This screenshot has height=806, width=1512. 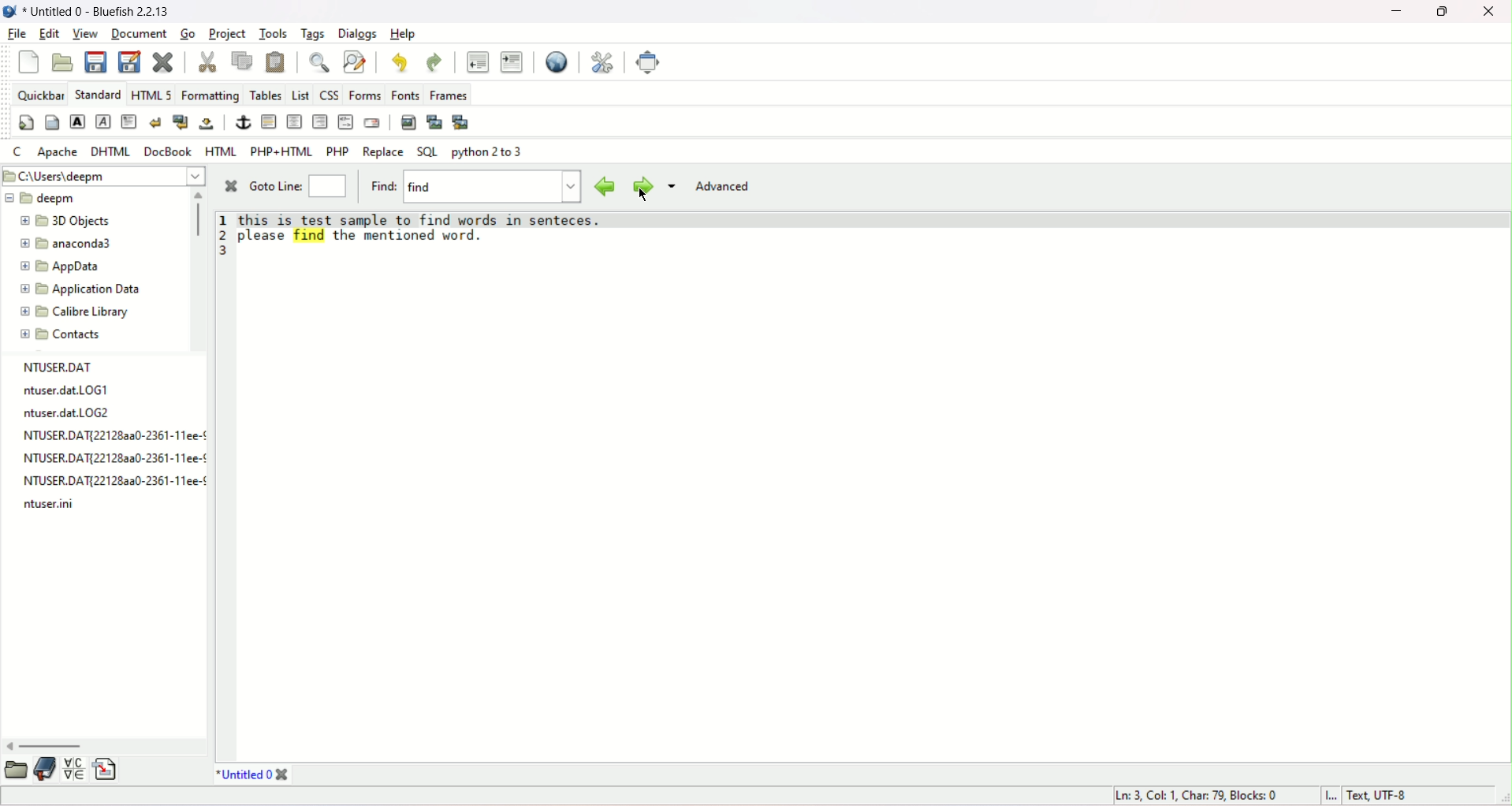 What do you see at coordinates (599, 62) in the screenshot?
I see `edit preferences` at bounding box center [599, 62].